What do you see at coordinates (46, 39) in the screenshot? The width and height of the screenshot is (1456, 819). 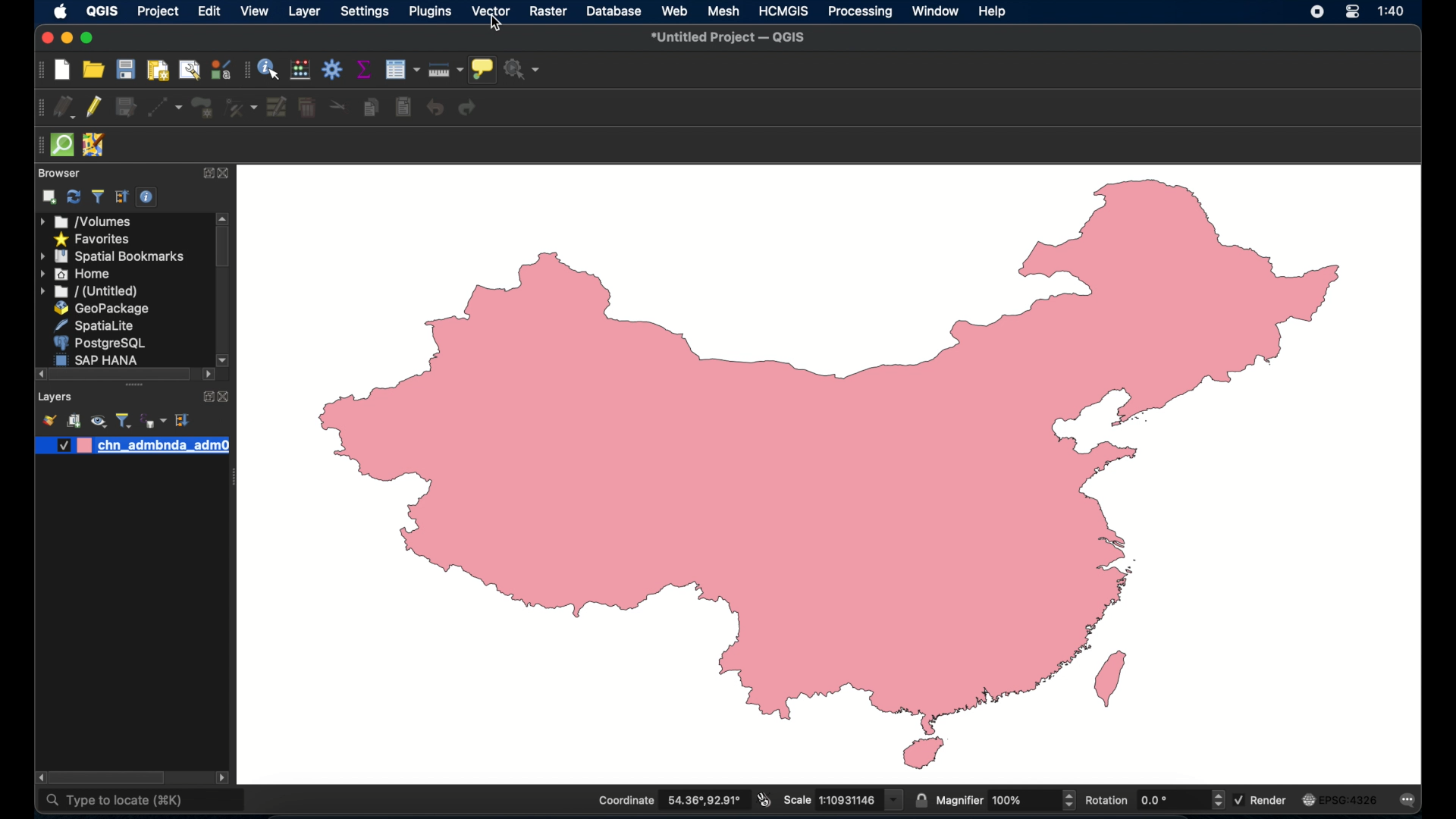 I see `close` at bounding box center [46, 39].